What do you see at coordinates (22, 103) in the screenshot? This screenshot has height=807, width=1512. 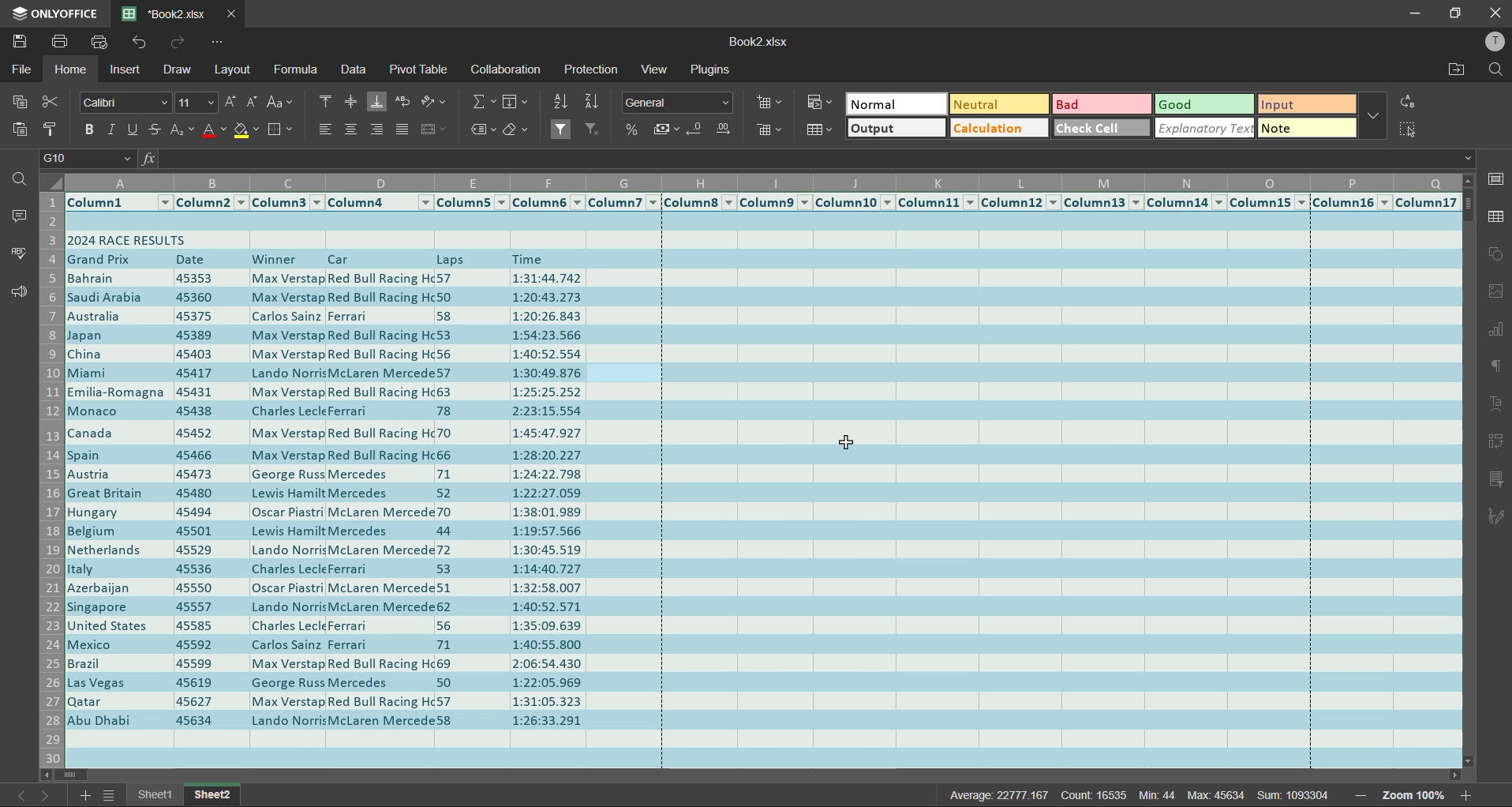 I see `copy` at bounding box center [22, 103].